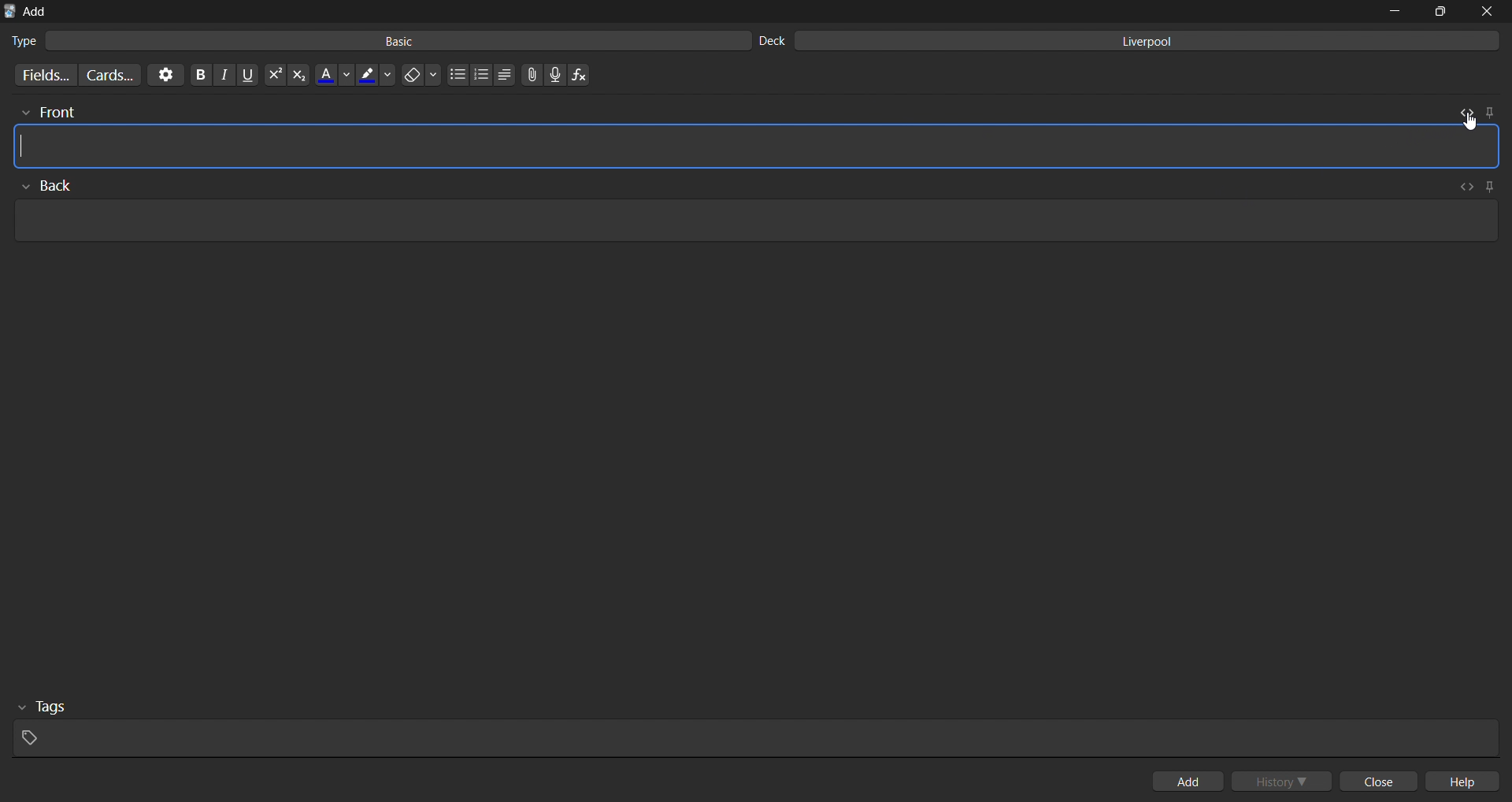  What do you see at coordinates (760, 149) in the screenshot?
I see `card front input field` at bounding box center [760, 149].